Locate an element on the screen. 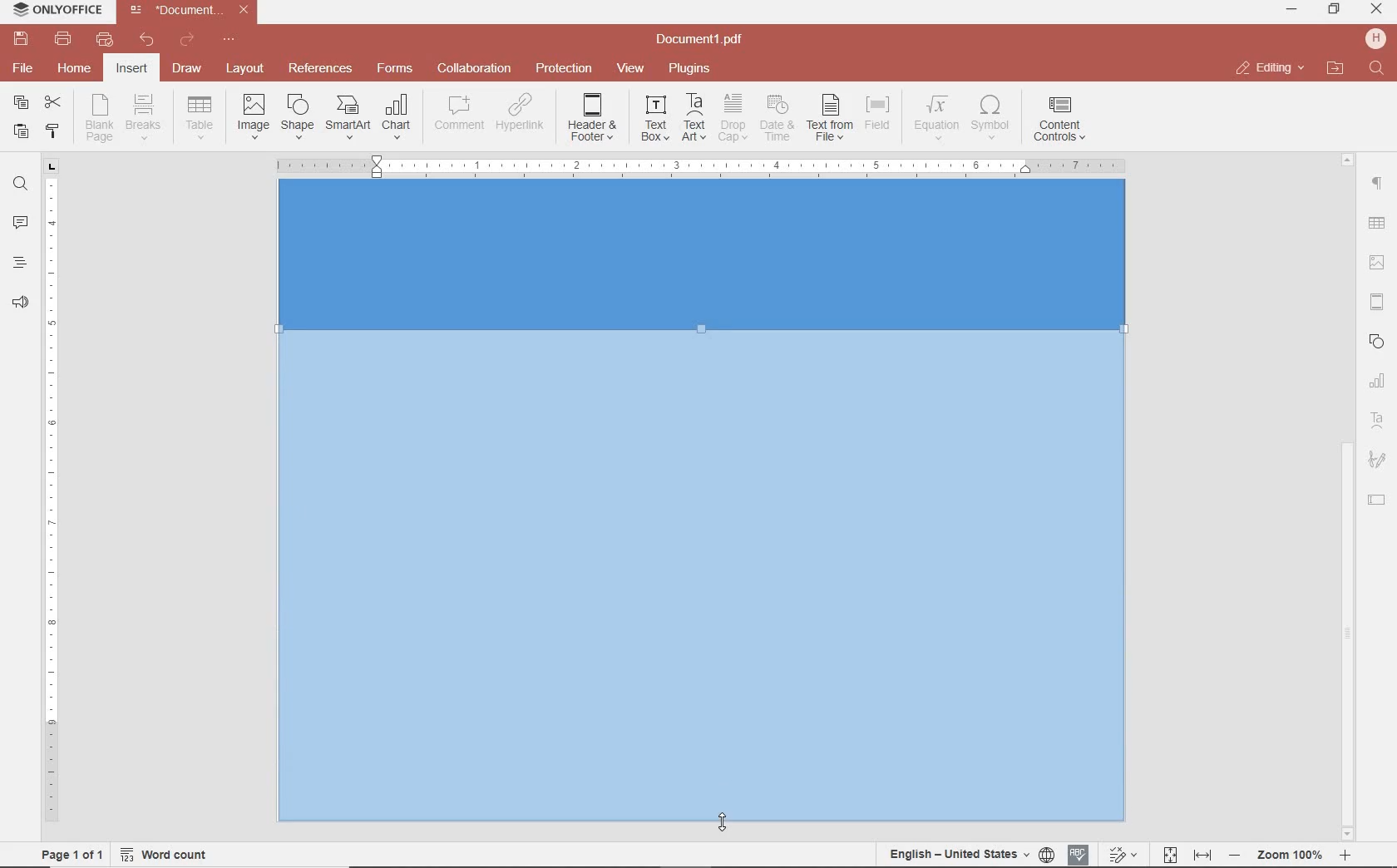  copy style is located at coordinates (51, 130).